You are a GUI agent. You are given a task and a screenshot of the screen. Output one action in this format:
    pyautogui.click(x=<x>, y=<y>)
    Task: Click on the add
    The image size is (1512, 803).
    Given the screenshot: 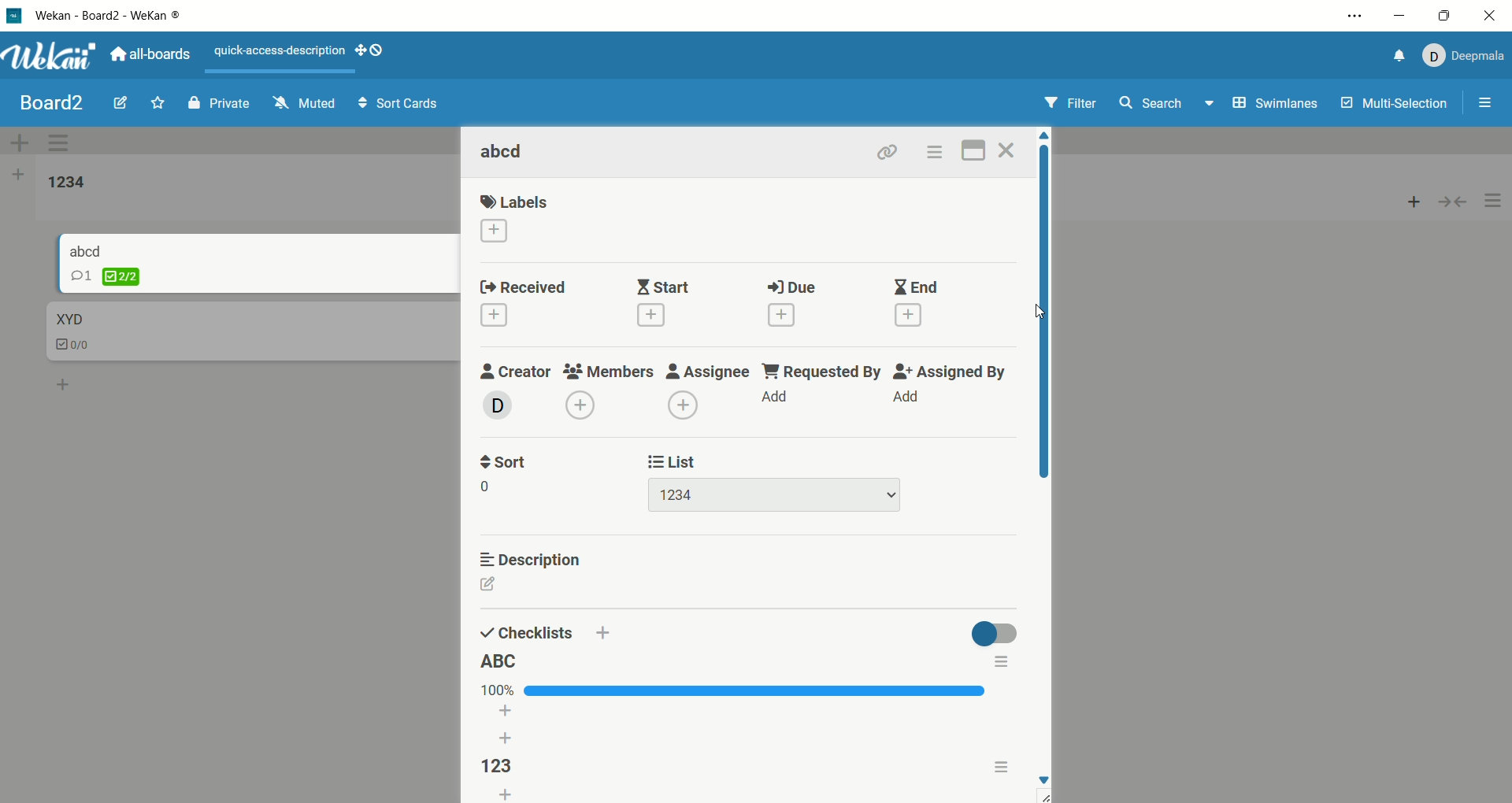 What is the action you would take?
    pyautogui.click(x=509, y=727)
    